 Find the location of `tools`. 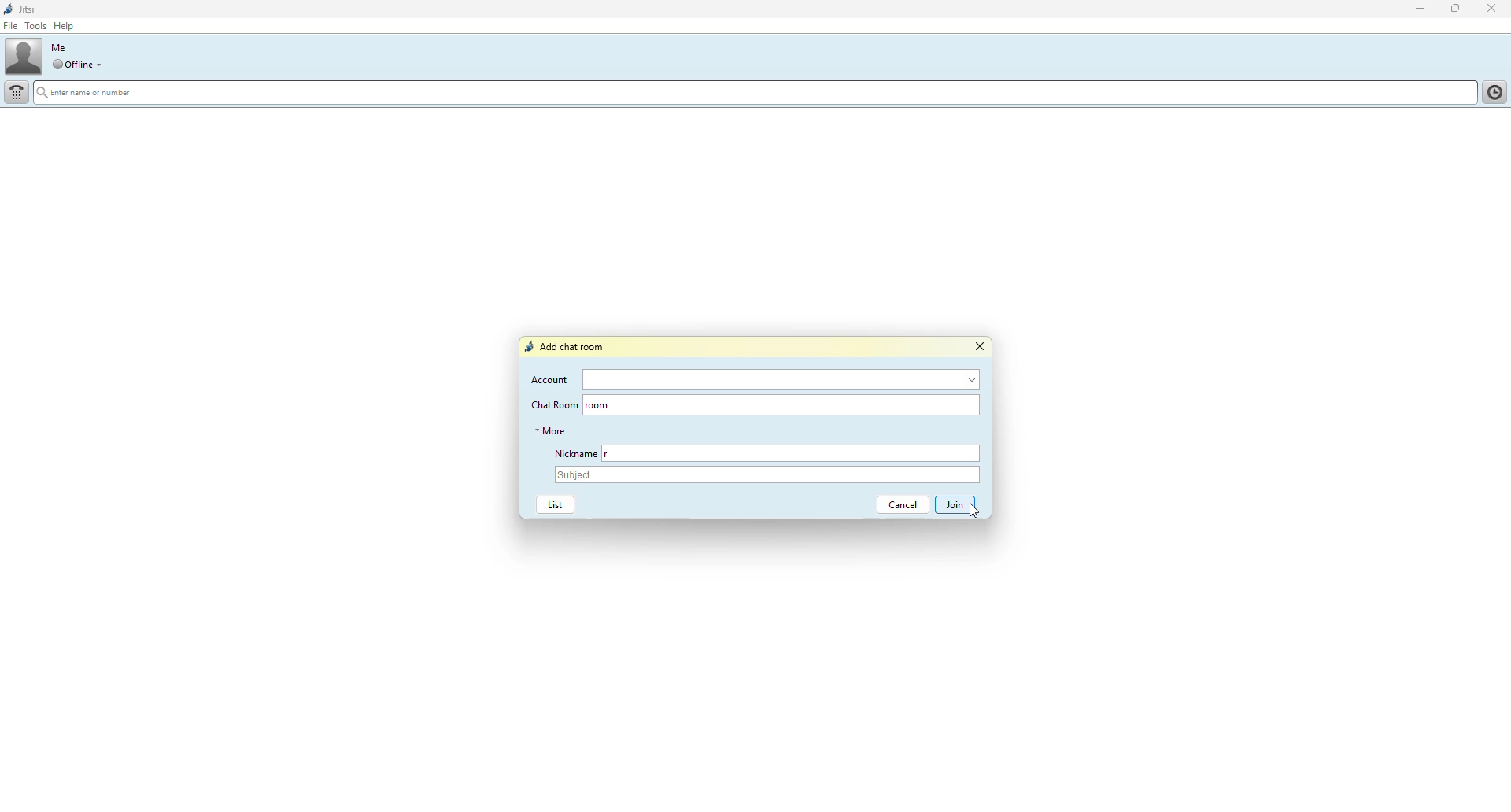

tools is located at coordinates (35, 26).